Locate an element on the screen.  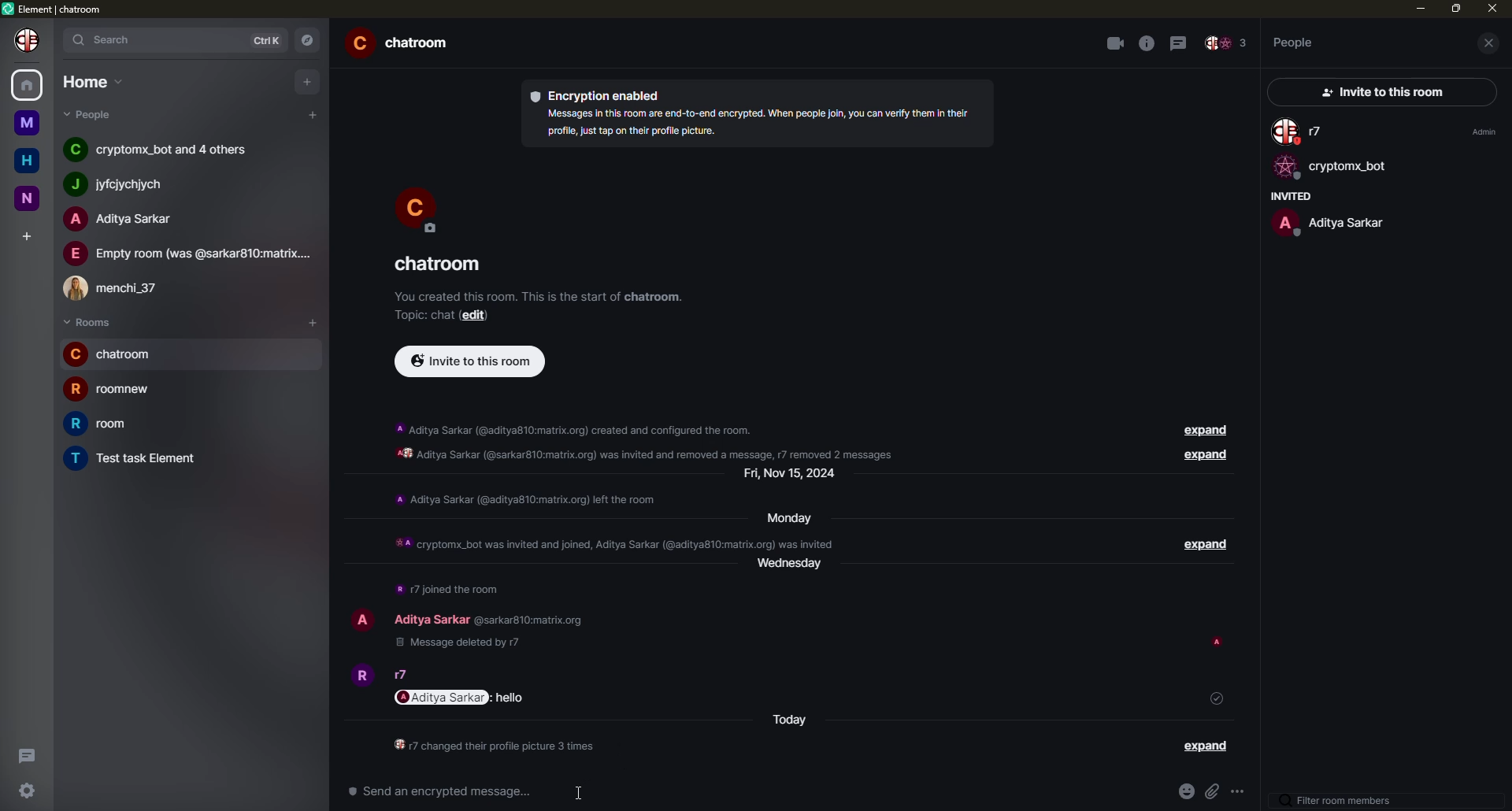
ctrlK is located at coordinates (267, 41).